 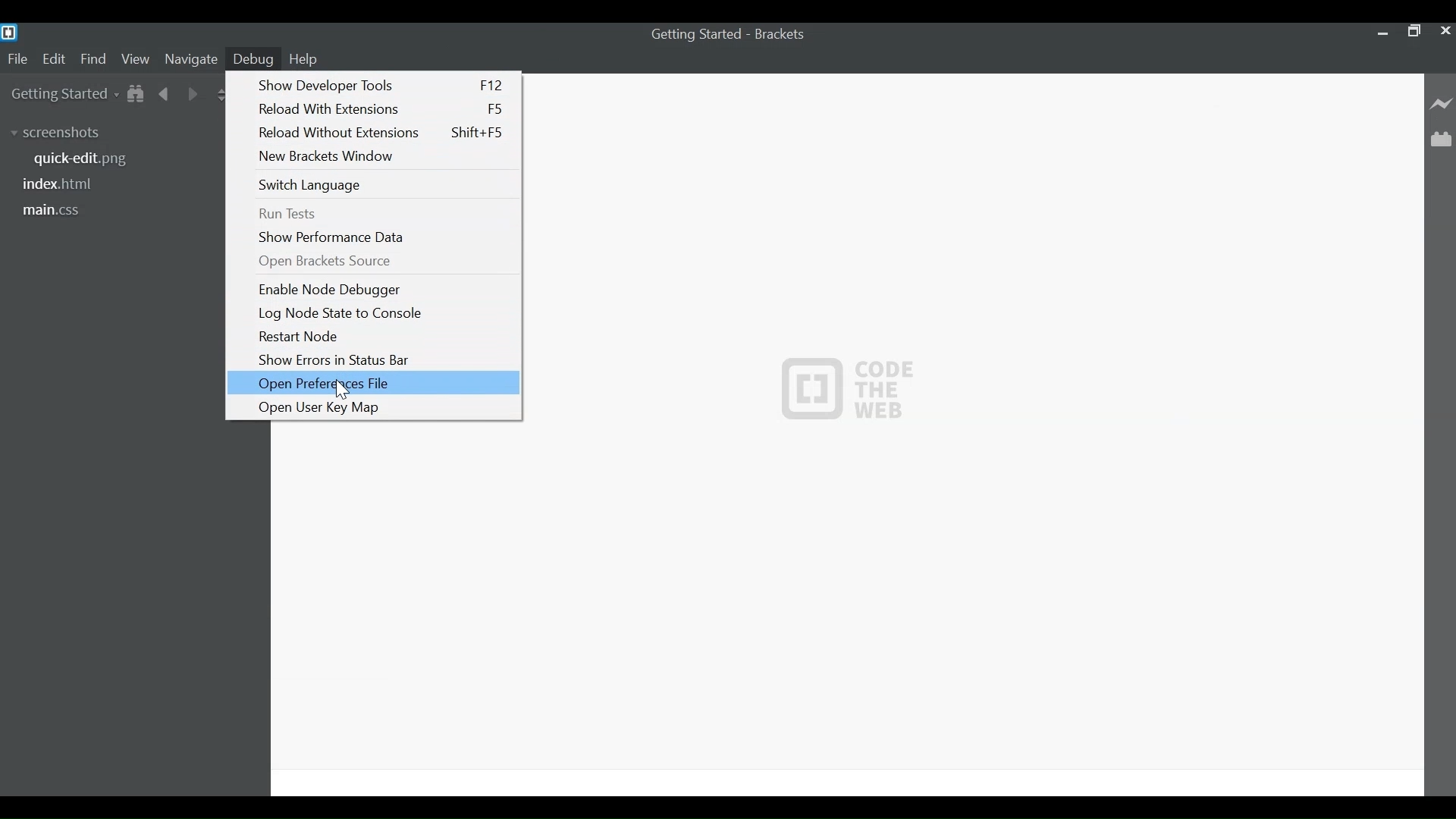 What do you see at coordinates (383, 214) in the screenshot?
I see `Run Tests` at bounding box center [383, 214].